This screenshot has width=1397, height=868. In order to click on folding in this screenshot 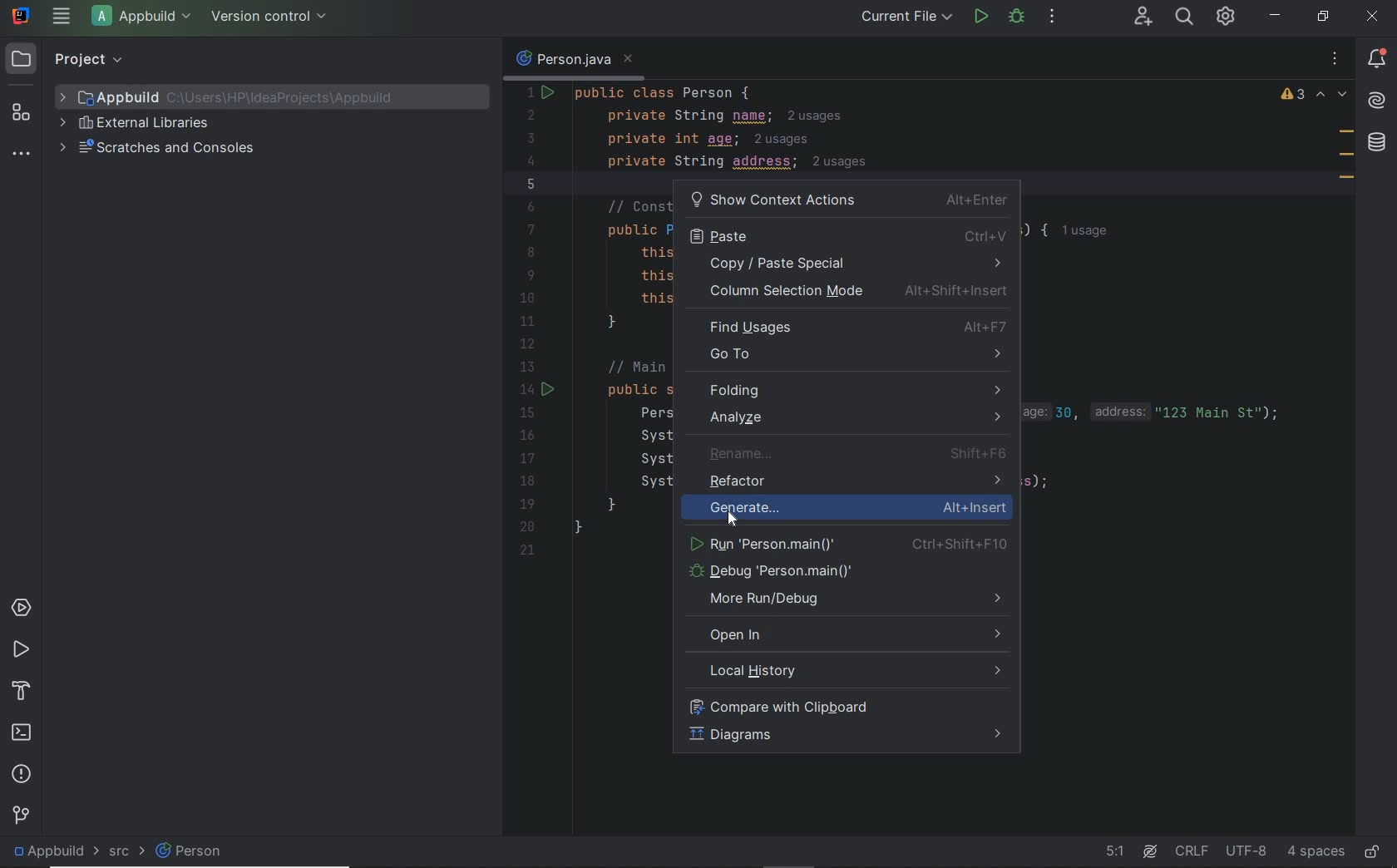, I will do `click(850, 391)`.